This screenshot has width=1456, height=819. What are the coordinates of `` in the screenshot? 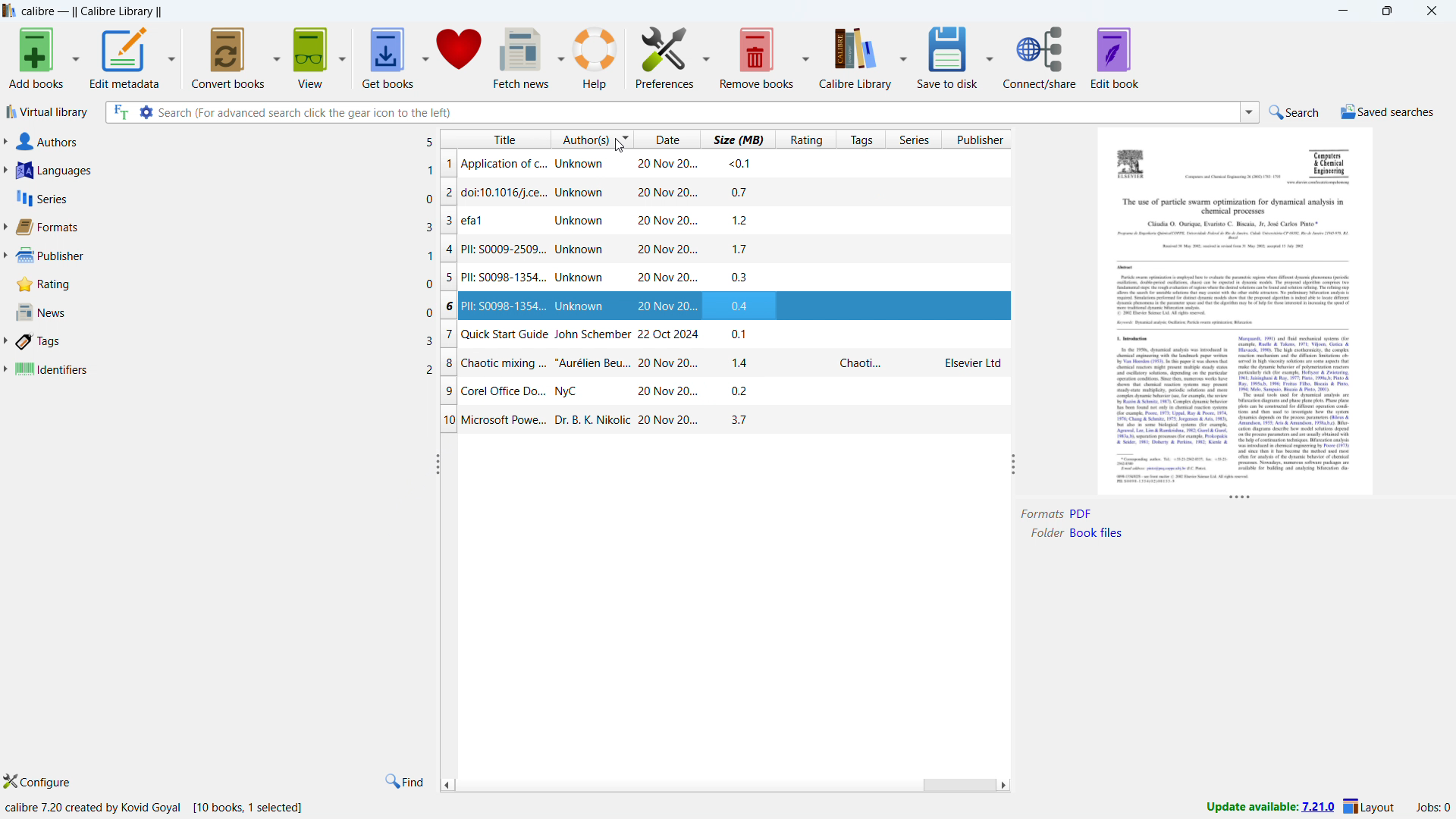 It's located at (1237, 205).